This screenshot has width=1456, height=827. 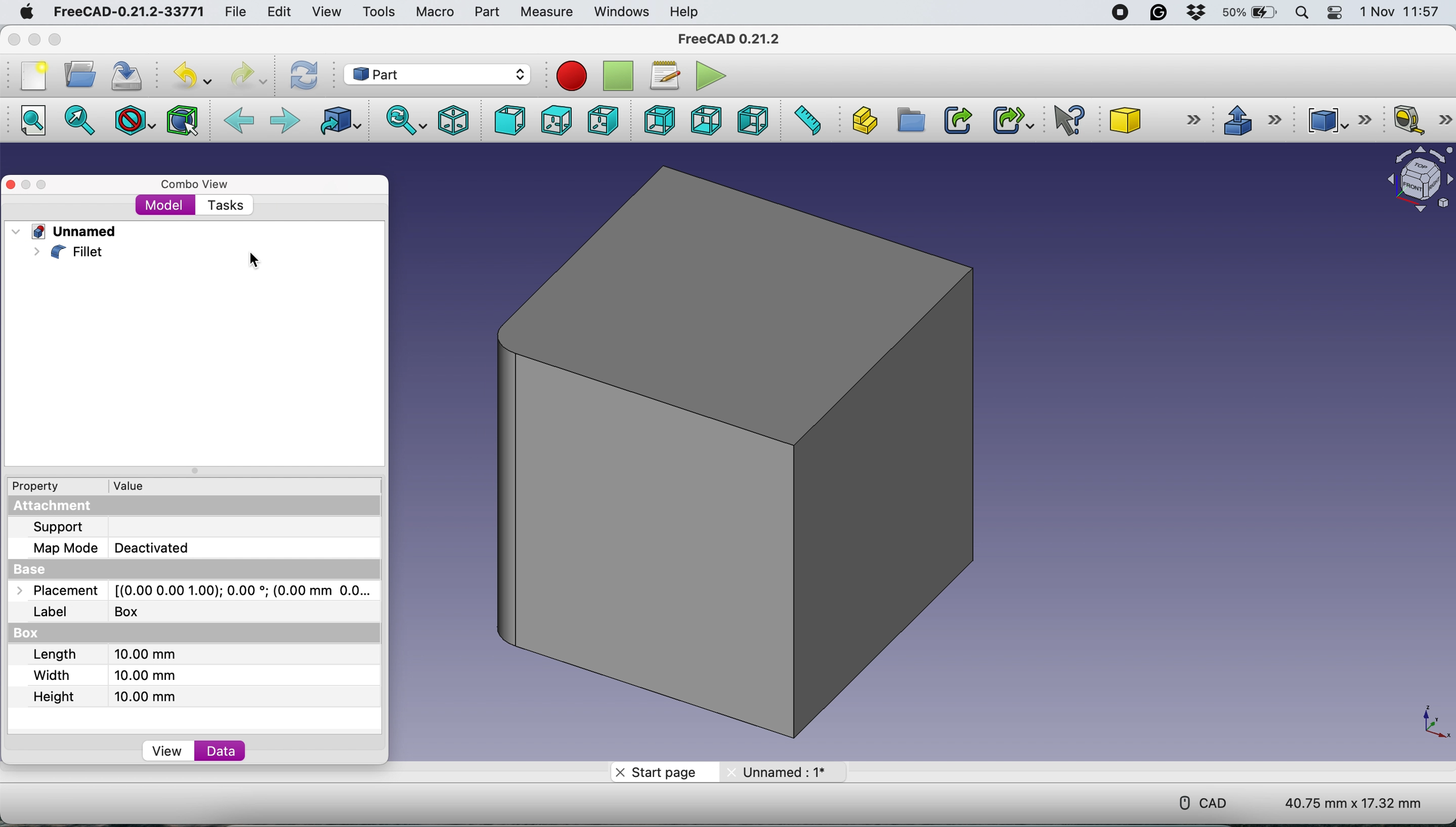 I want to click on view, so click(x=169, y=751).